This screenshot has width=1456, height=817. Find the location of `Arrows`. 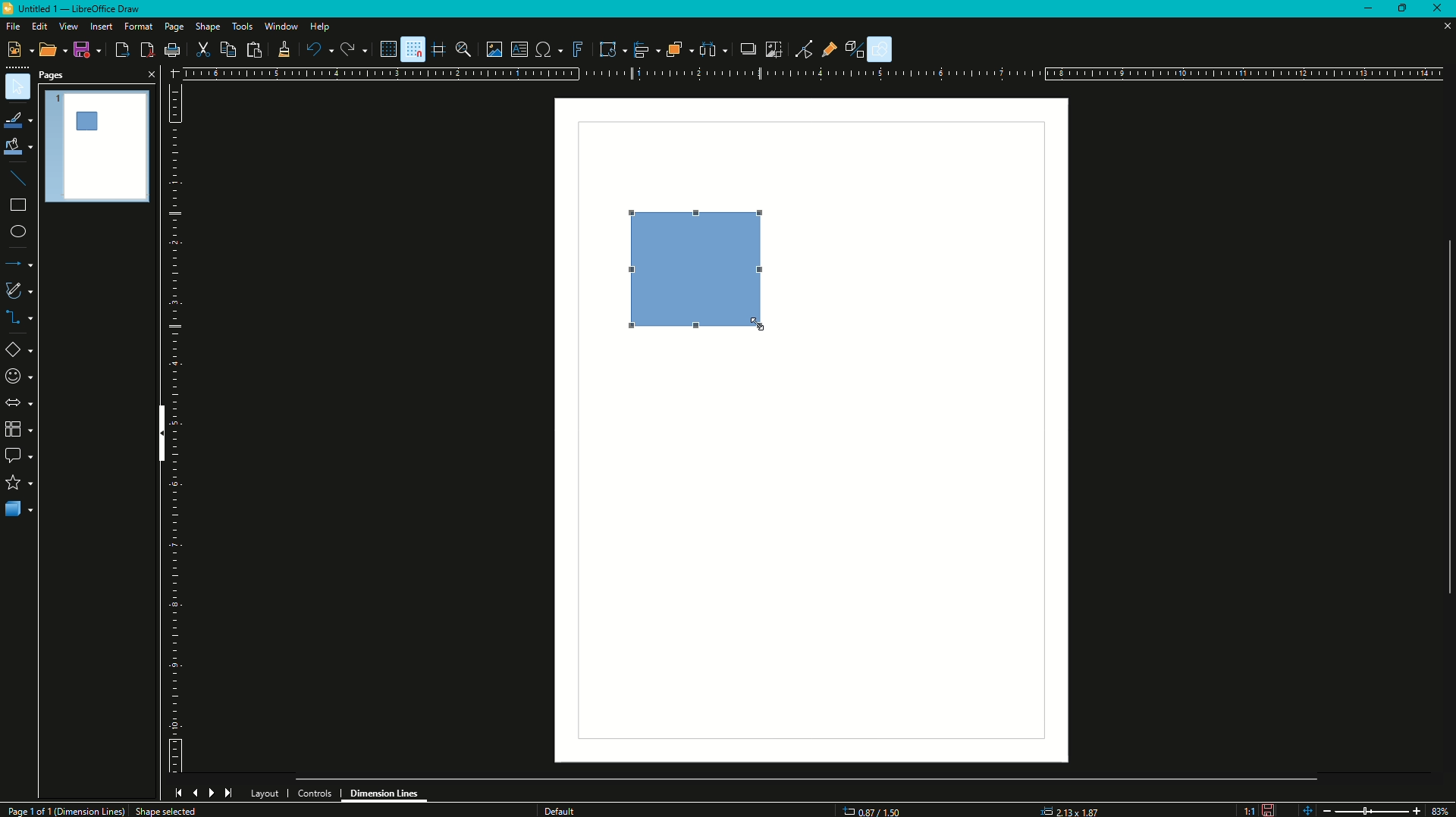

Arrows is located at coordinates (18, 402).